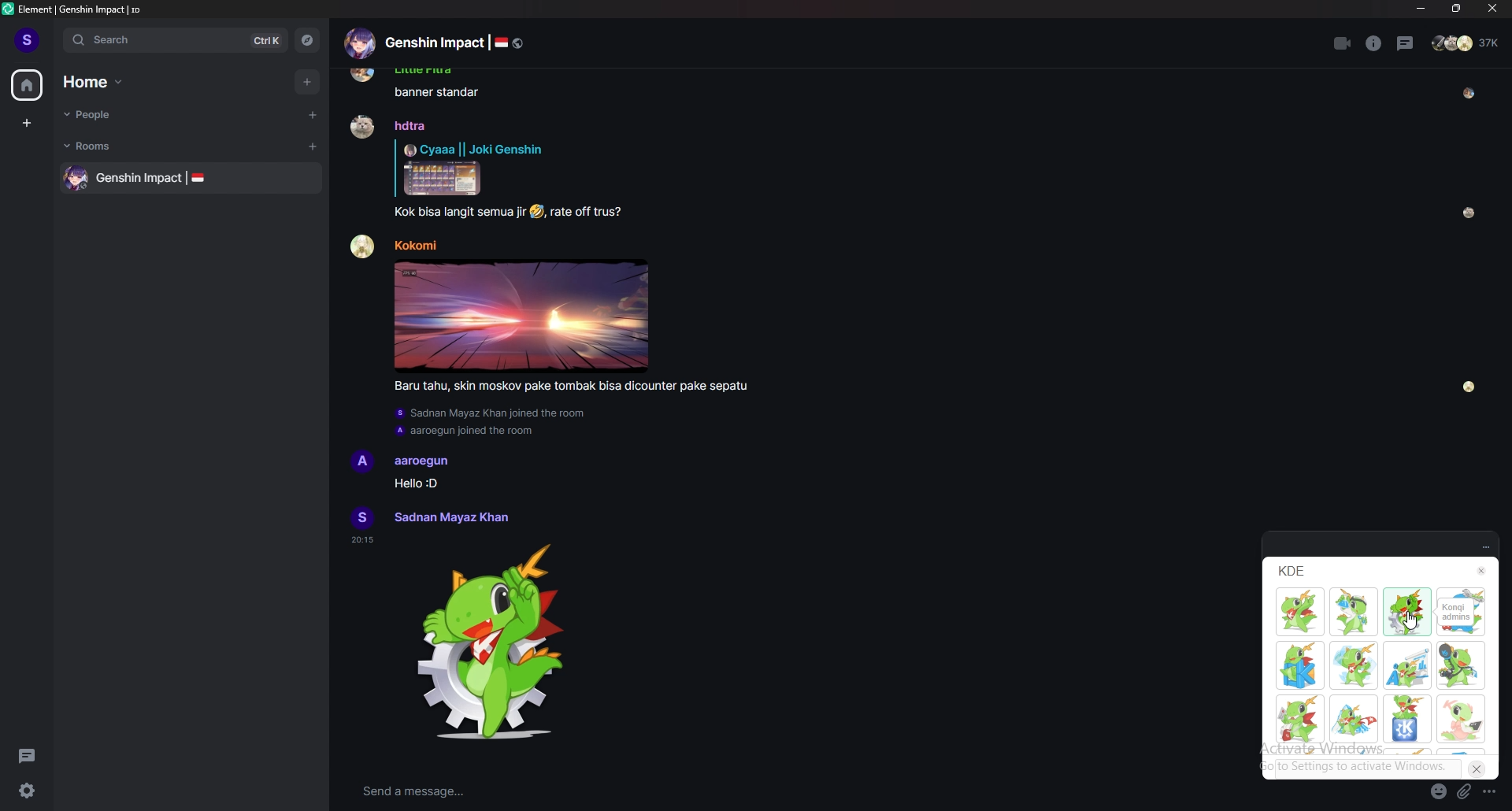 Image resolution: width=1512 pixels, height=811 pixels. Describe the element at coordinates (1300, 719) in the screenshot. I see `Kongi emails` at that location.